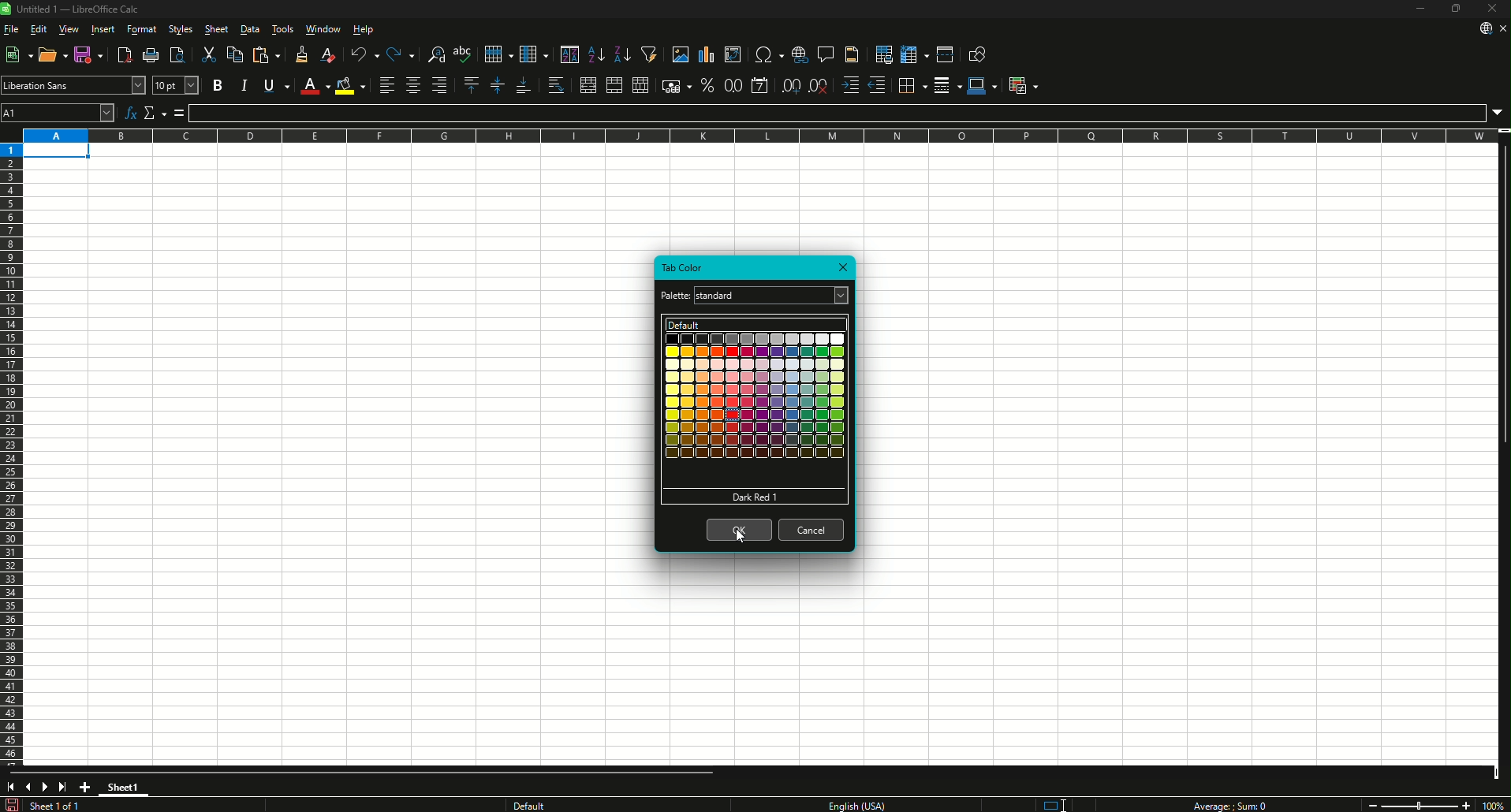  I want to click on Save changes, so click(12, 804).